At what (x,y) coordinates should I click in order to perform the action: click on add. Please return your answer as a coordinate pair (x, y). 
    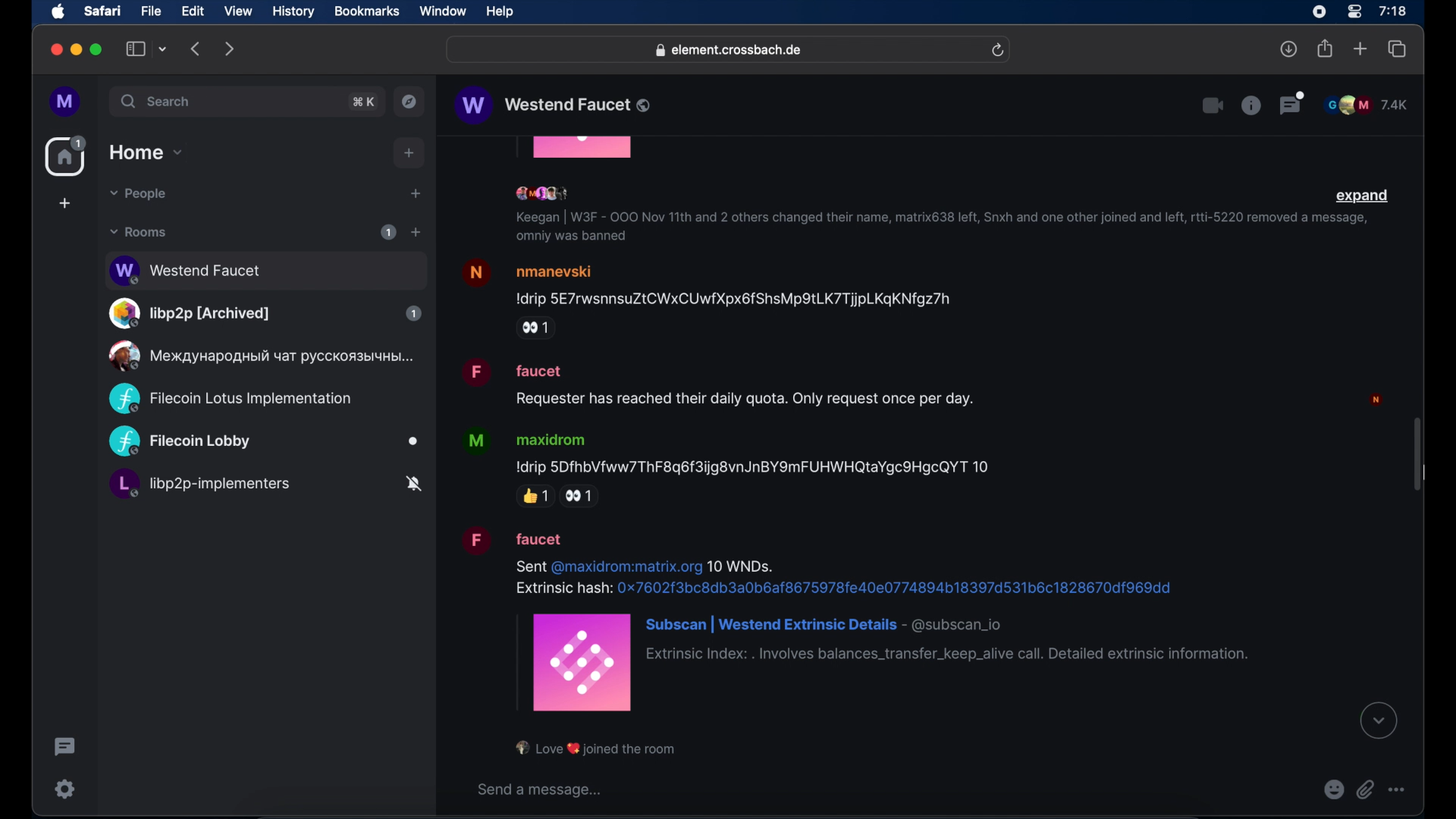
    Looking at the image, I should click on (409, 153).